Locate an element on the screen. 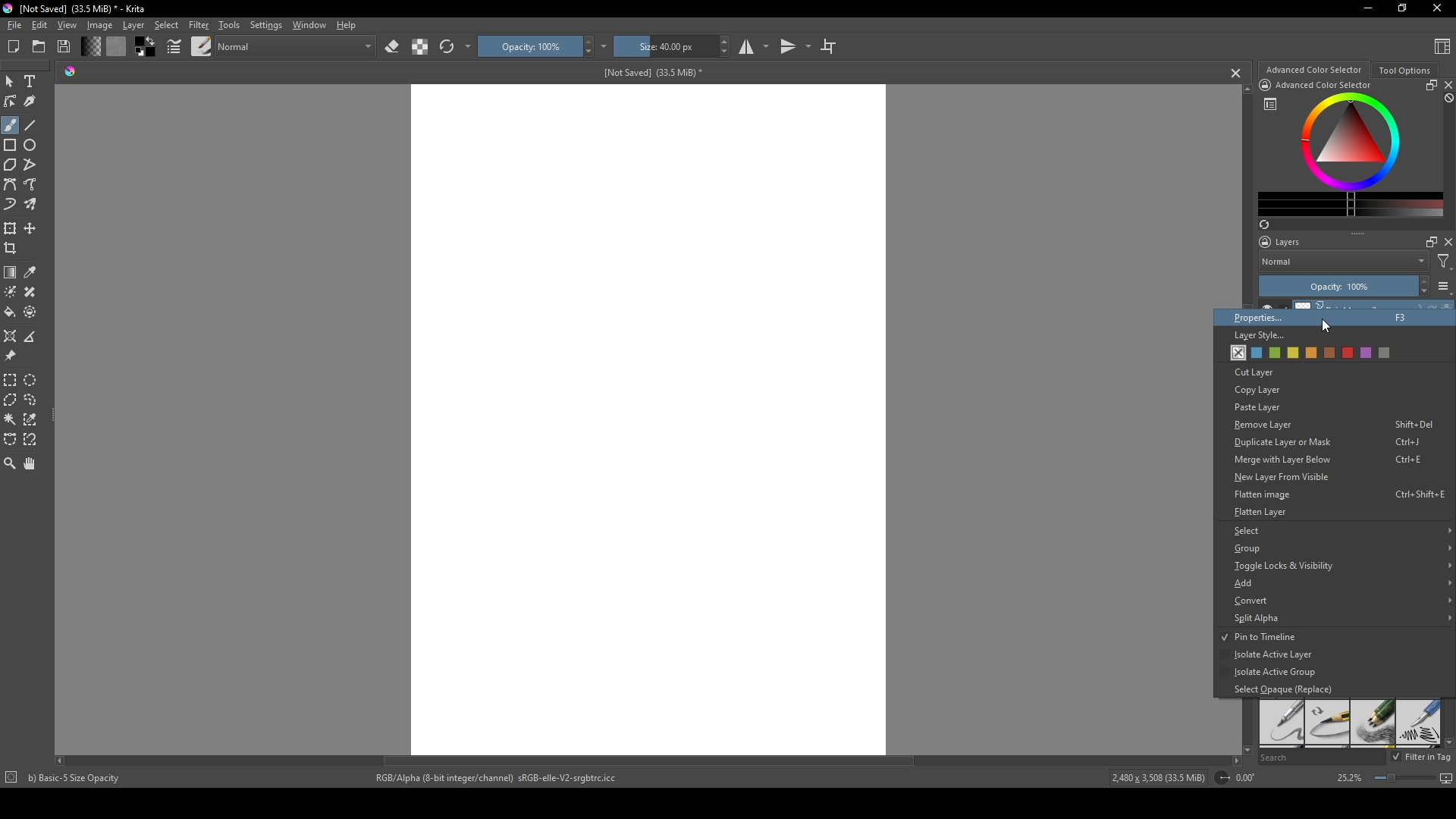 The height and width of the screenshot is (819, 1456). cursor is located at coordinates (1325, 325).